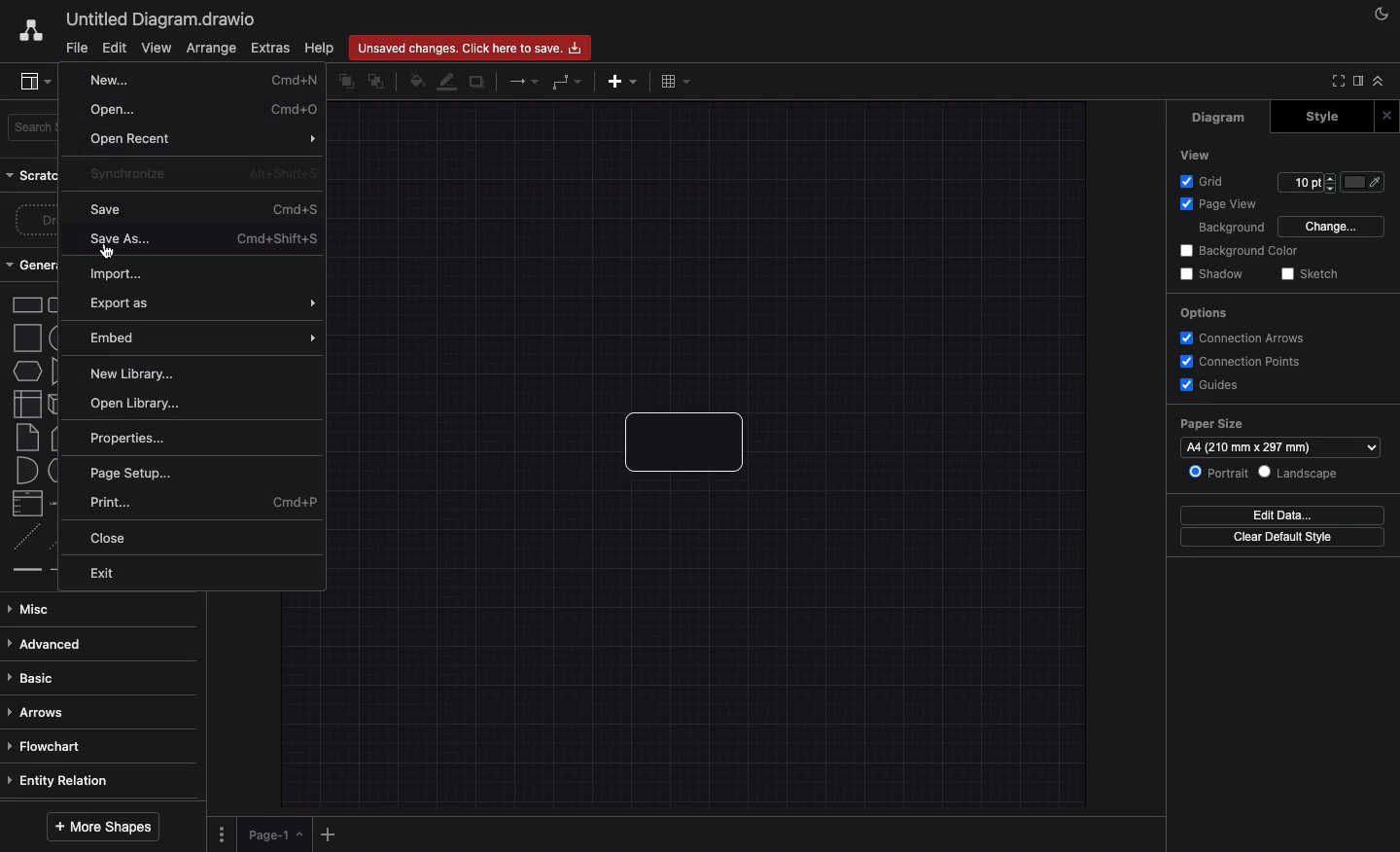 The image size is (1400, 852). What do you see at coordinates (200, 173) in the screenshot?
I see `Synchronize` at bounding box center [200, 173].